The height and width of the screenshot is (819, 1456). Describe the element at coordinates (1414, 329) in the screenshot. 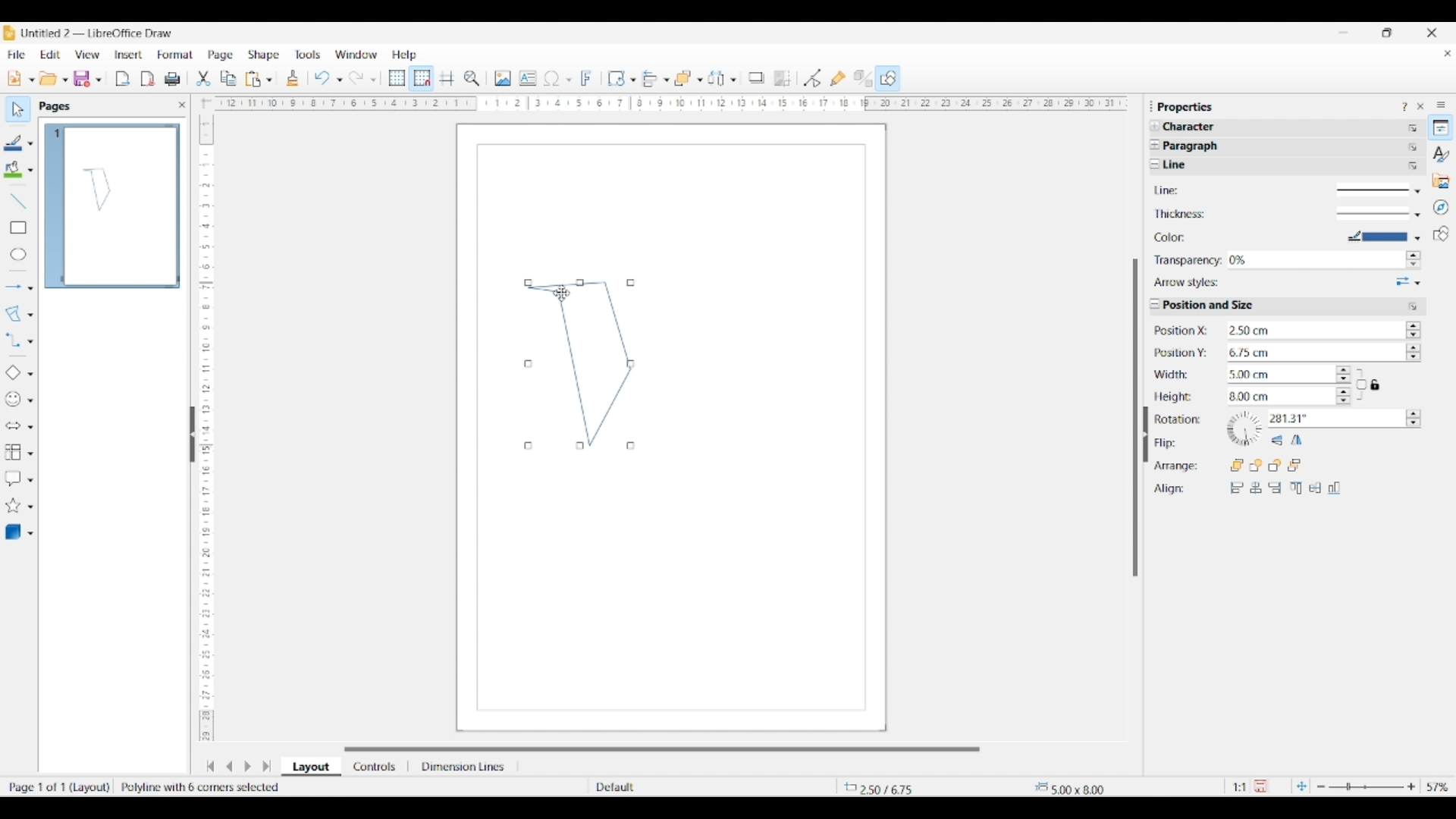

I see `Increase/Decrease position X` at that location.